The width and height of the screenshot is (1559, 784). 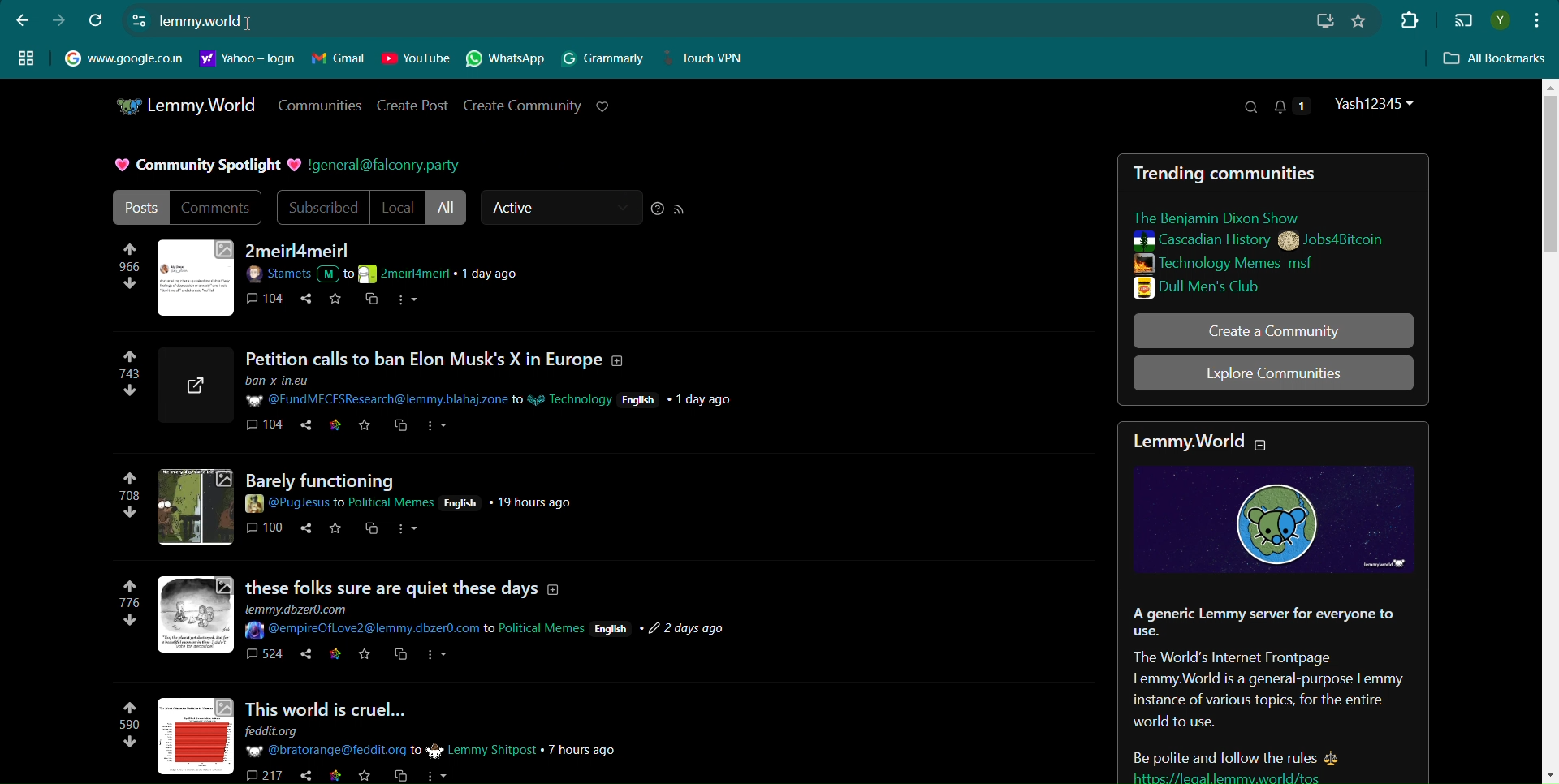 I want to click on Support Limmy, so click(x=603, y=106).